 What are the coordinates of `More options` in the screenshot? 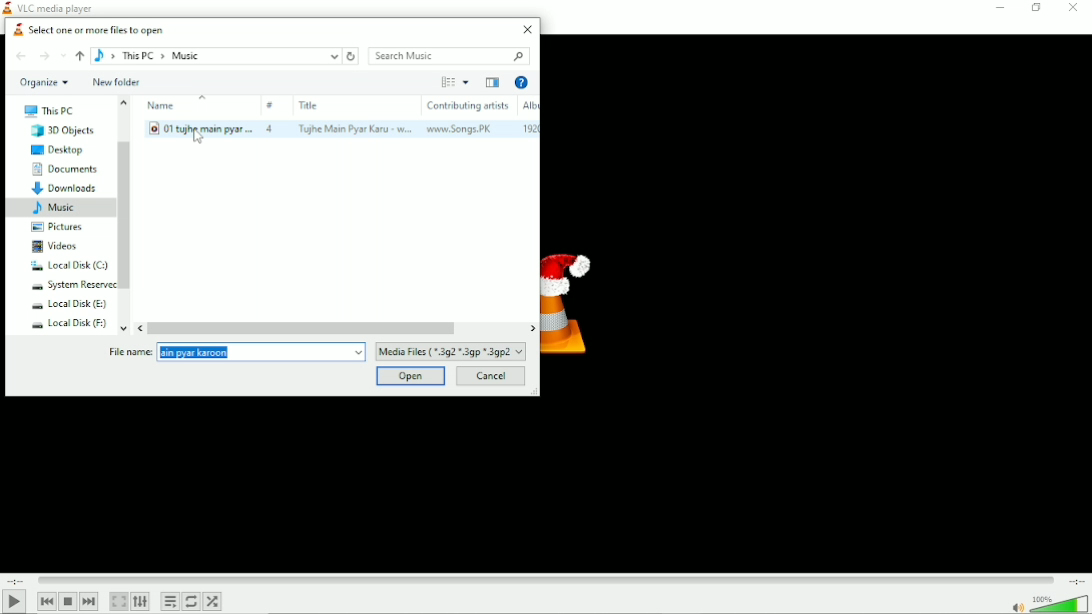 It's located at (467, 82).